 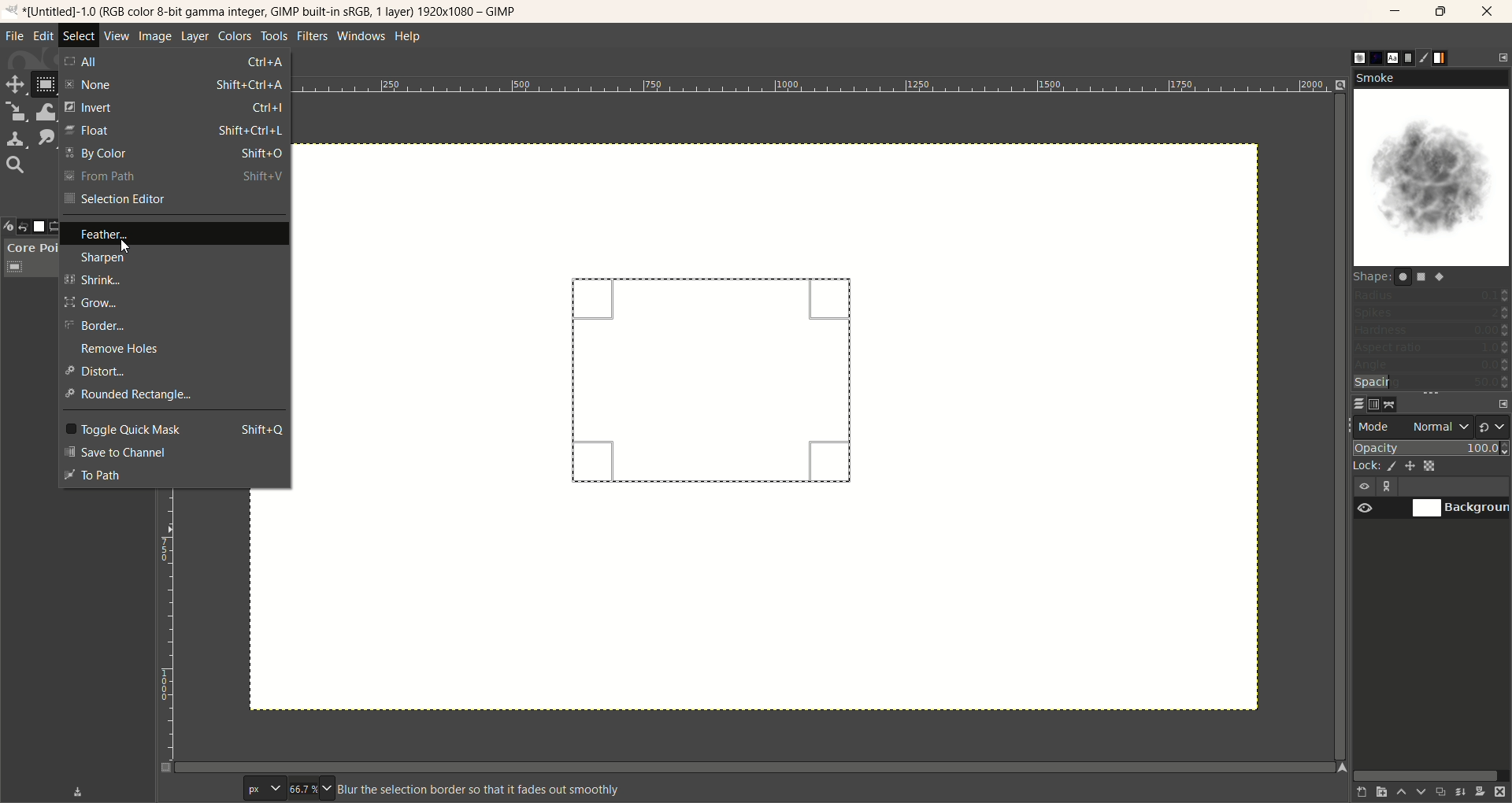 What do you see at coordinates (272, 11) in the screenshot?
I see `title` at bounding box center [272, 11].